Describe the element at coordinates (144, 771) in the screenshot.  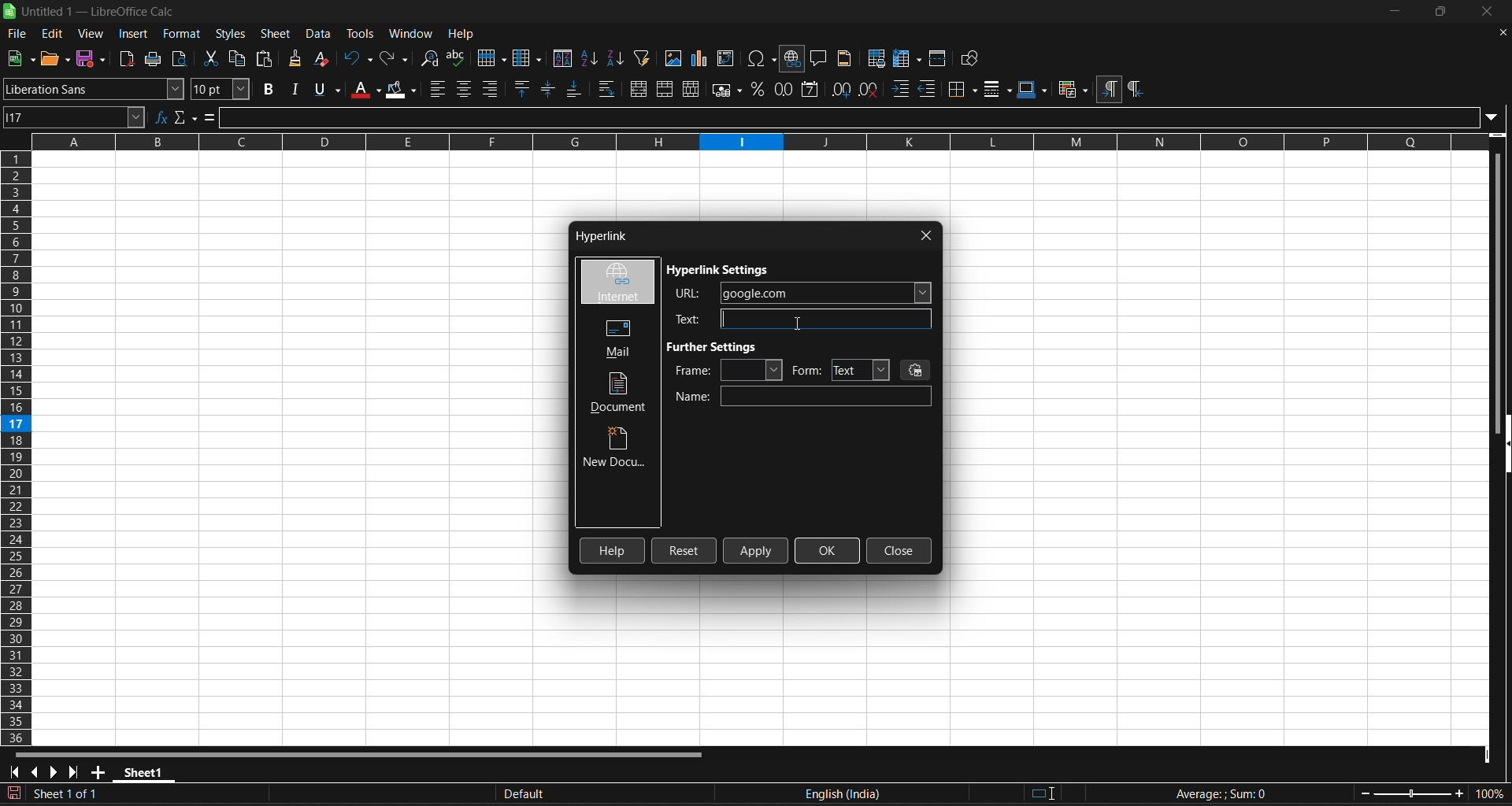
I see `sheet 1` at that location.